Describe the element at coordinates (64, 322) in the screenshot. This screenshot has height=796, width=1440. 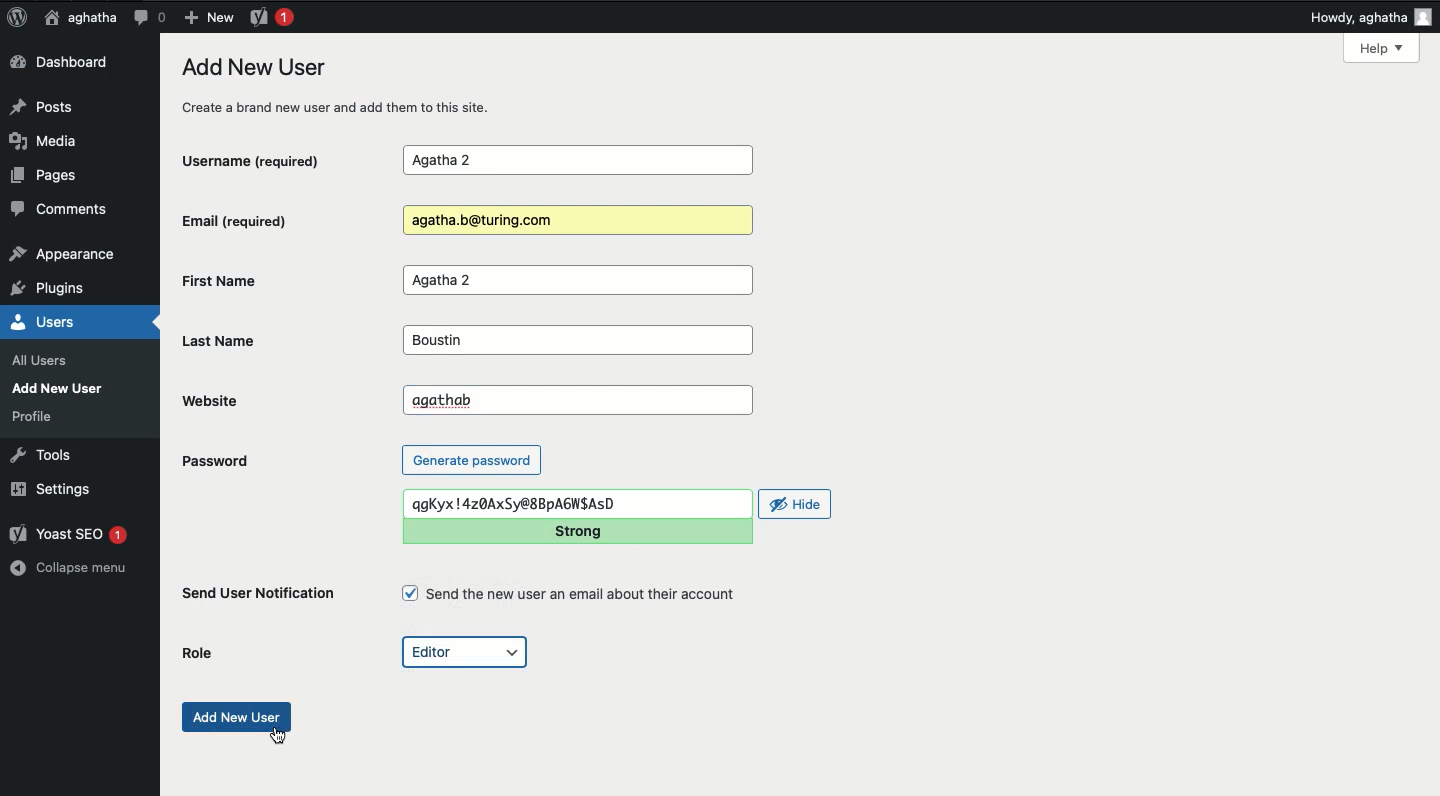
I see `Users` at that location.